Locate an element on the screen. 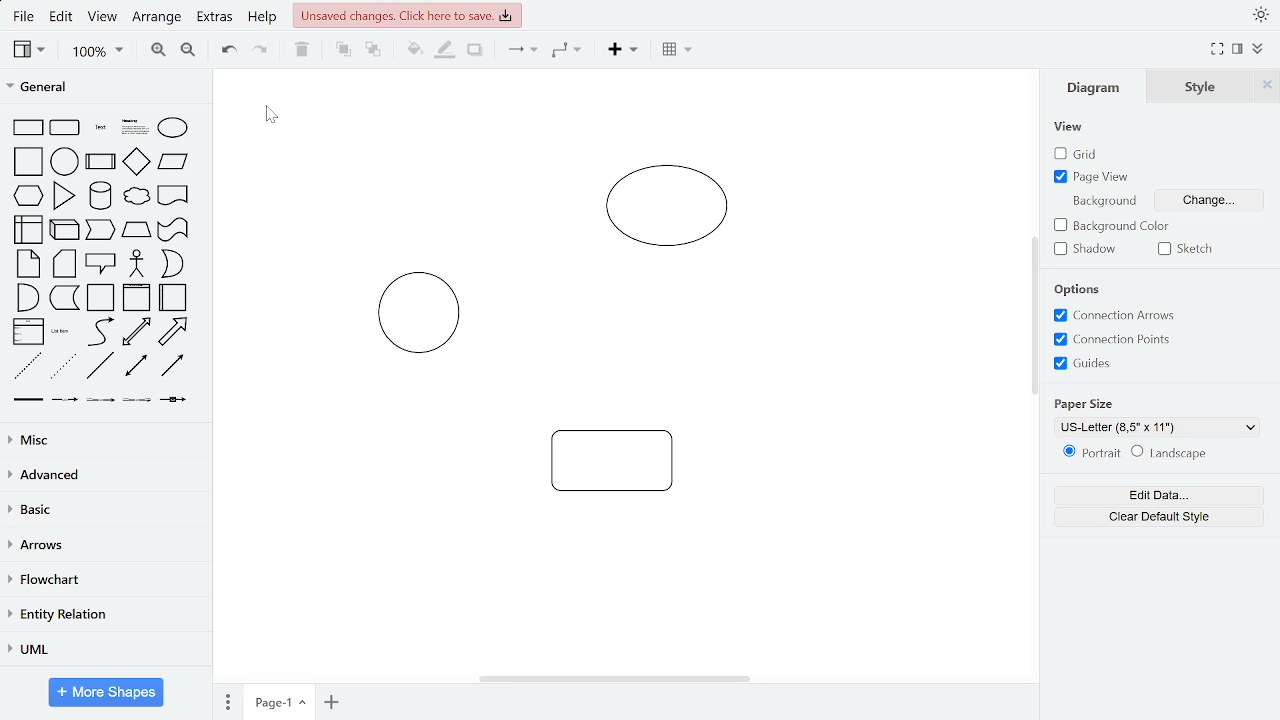  flowchart is located at coordinates (101, 581).